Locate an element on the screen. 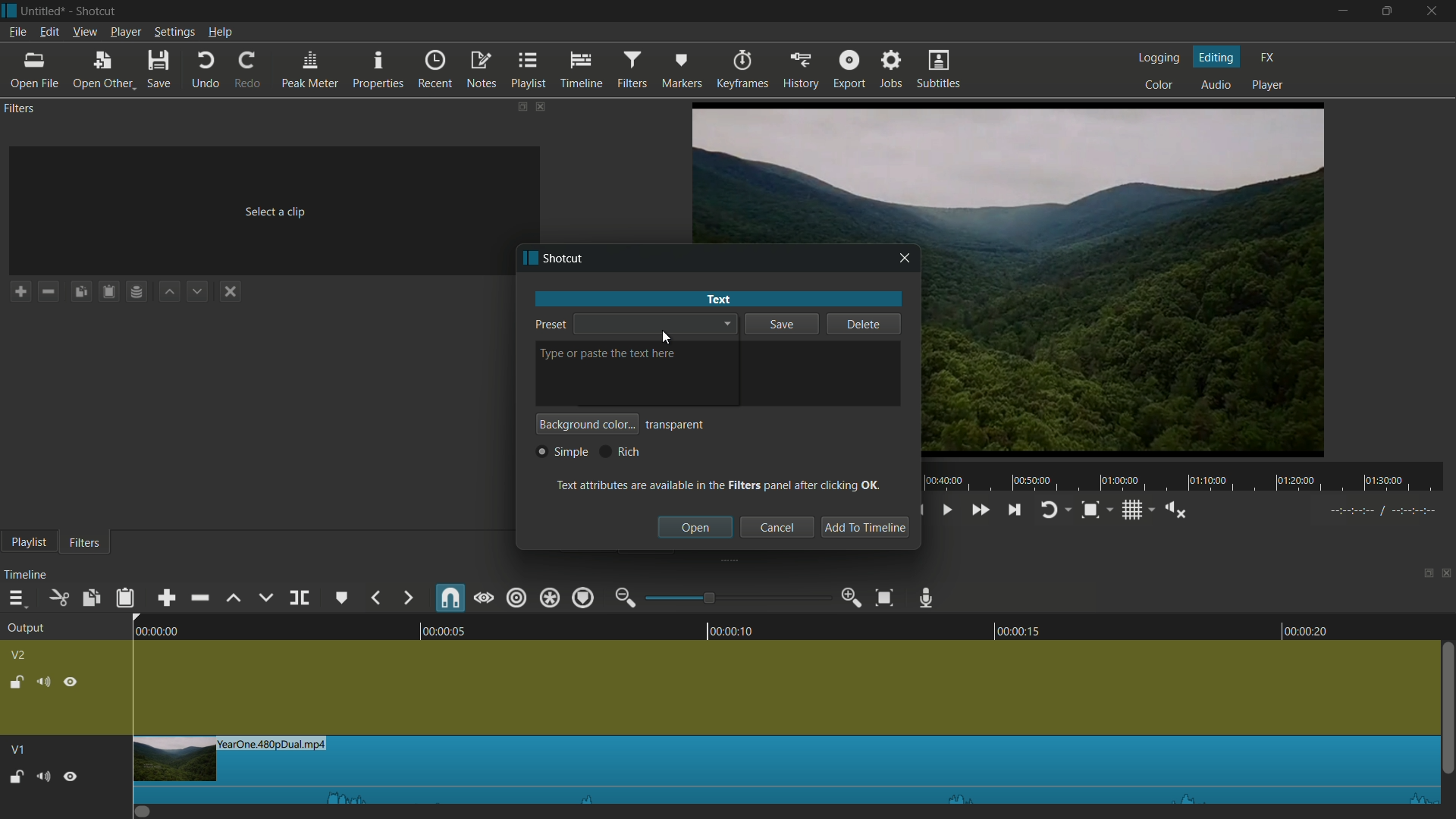  quickly play forward is located at coordinates (977, 509).